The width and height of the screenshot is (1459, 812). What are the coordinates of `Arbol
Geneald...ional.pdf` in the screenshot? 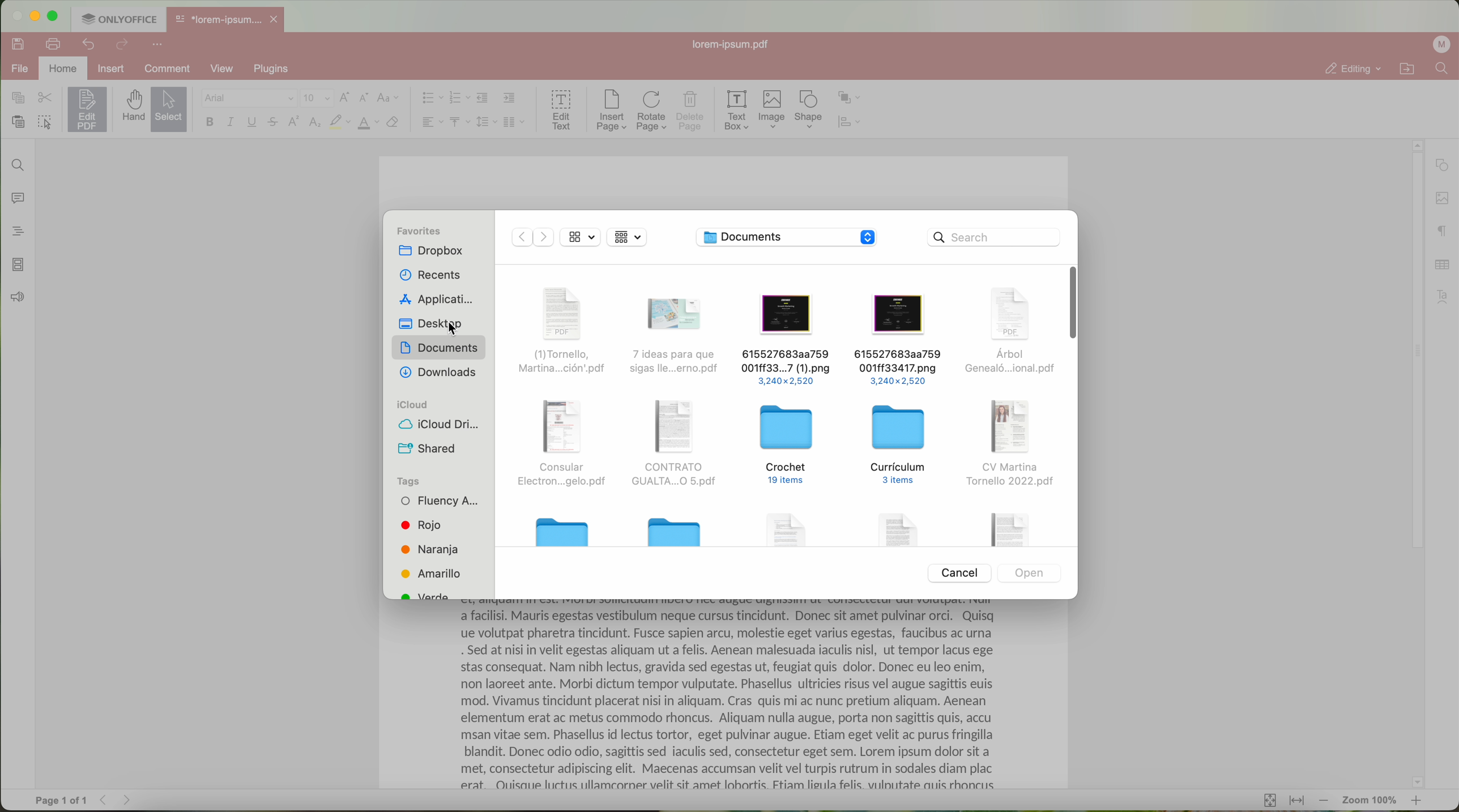 It's located at (1007, 332).